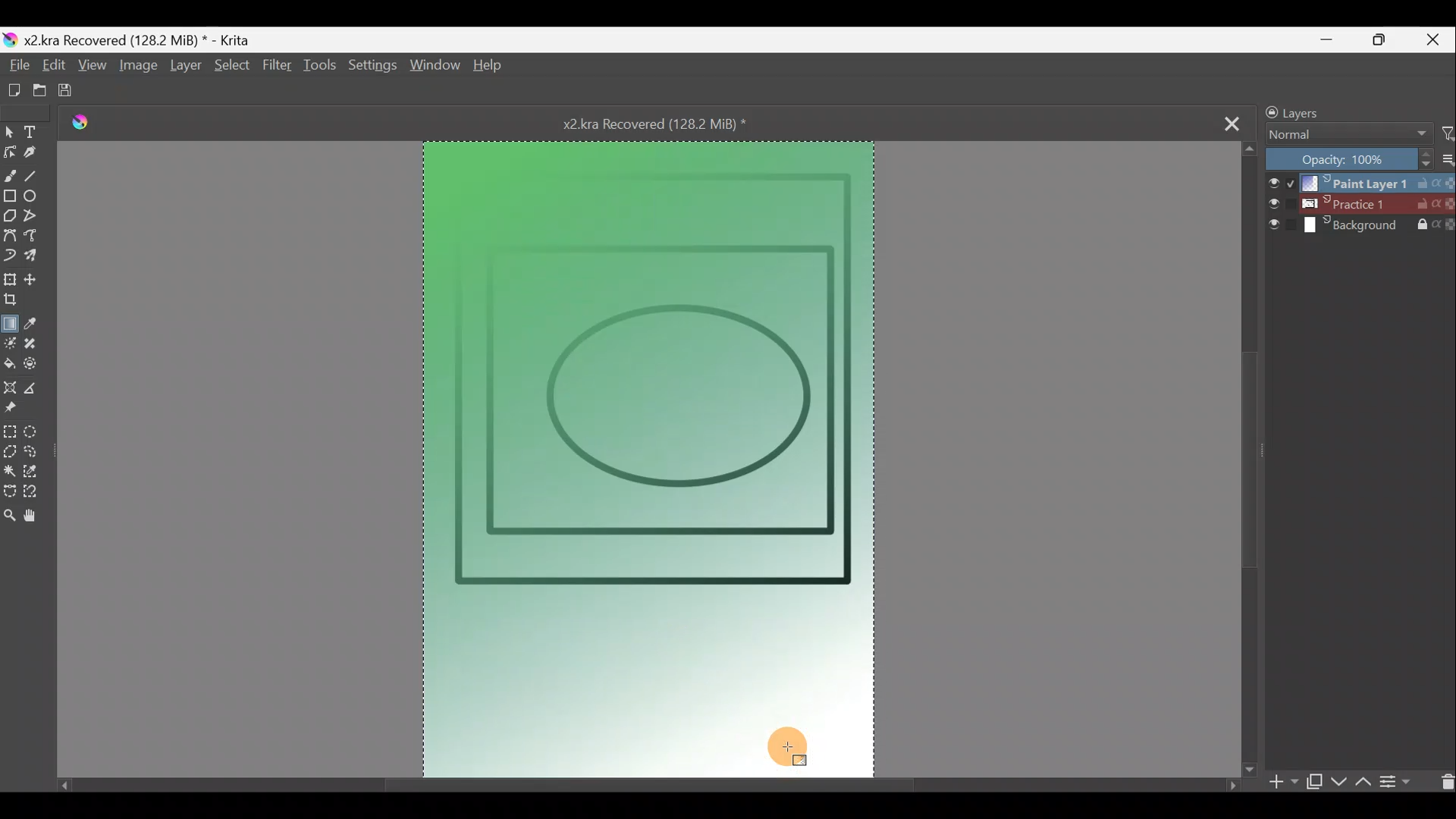 The height and width of the screenshot is (819, 1456). I want to click on Cursor, so click(798, 747).